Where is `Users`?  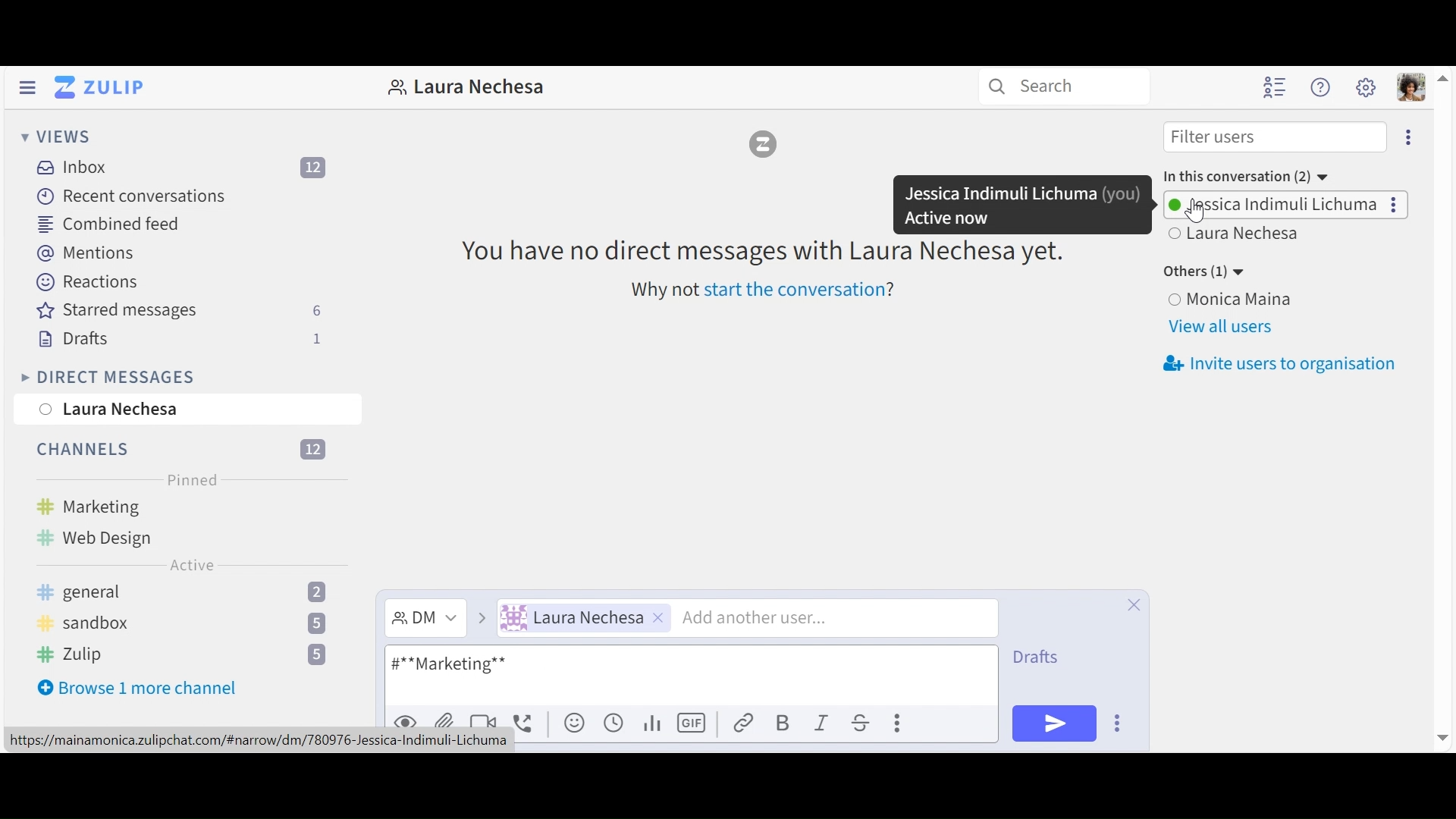
Users is located at coordinates (1282, 206).